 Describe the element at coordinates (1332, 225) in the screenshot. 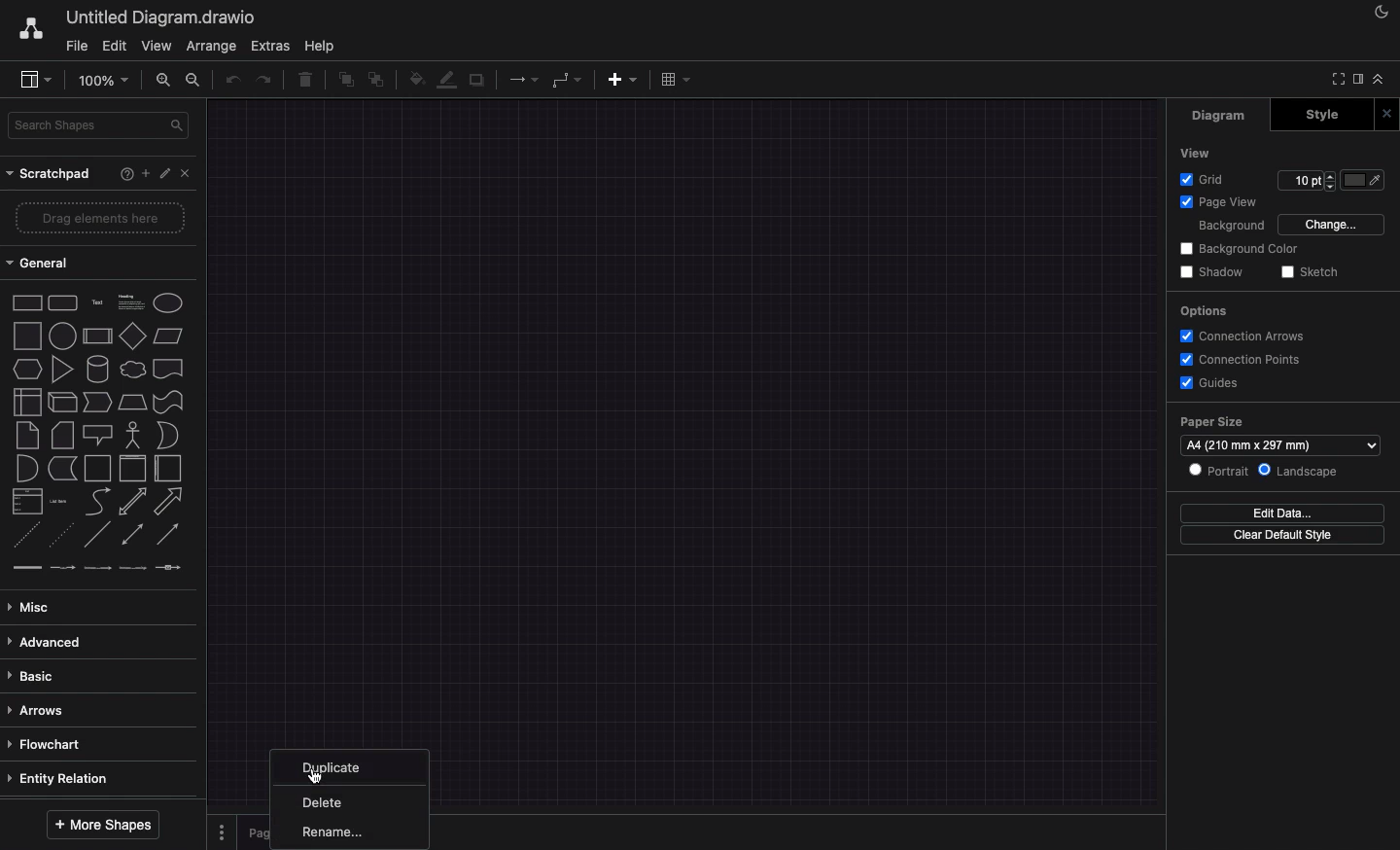

I see `change` at that location.